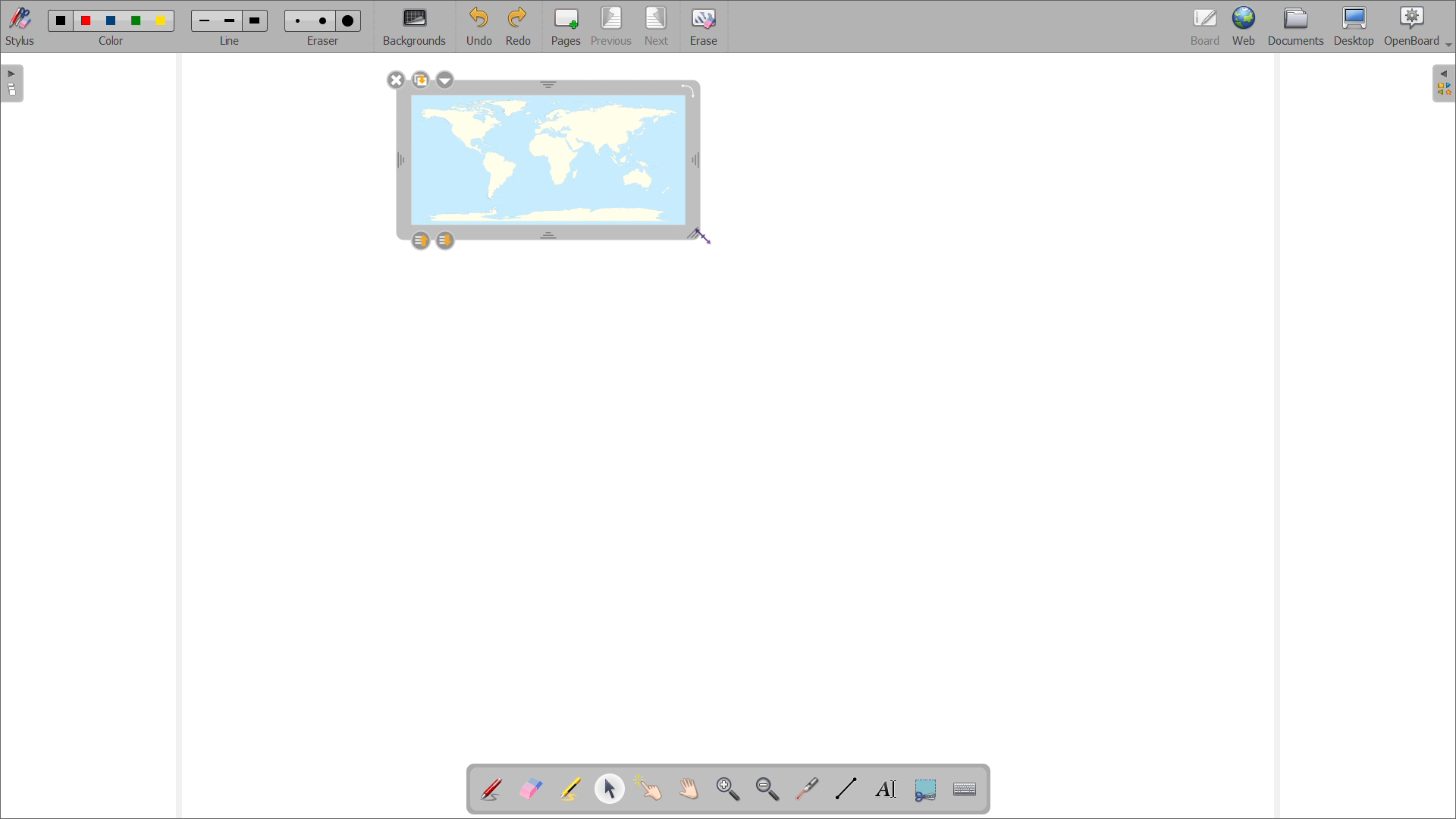 This screenshot has width=1456, height=819. I want to click on erase annotations, so click(530, 787).